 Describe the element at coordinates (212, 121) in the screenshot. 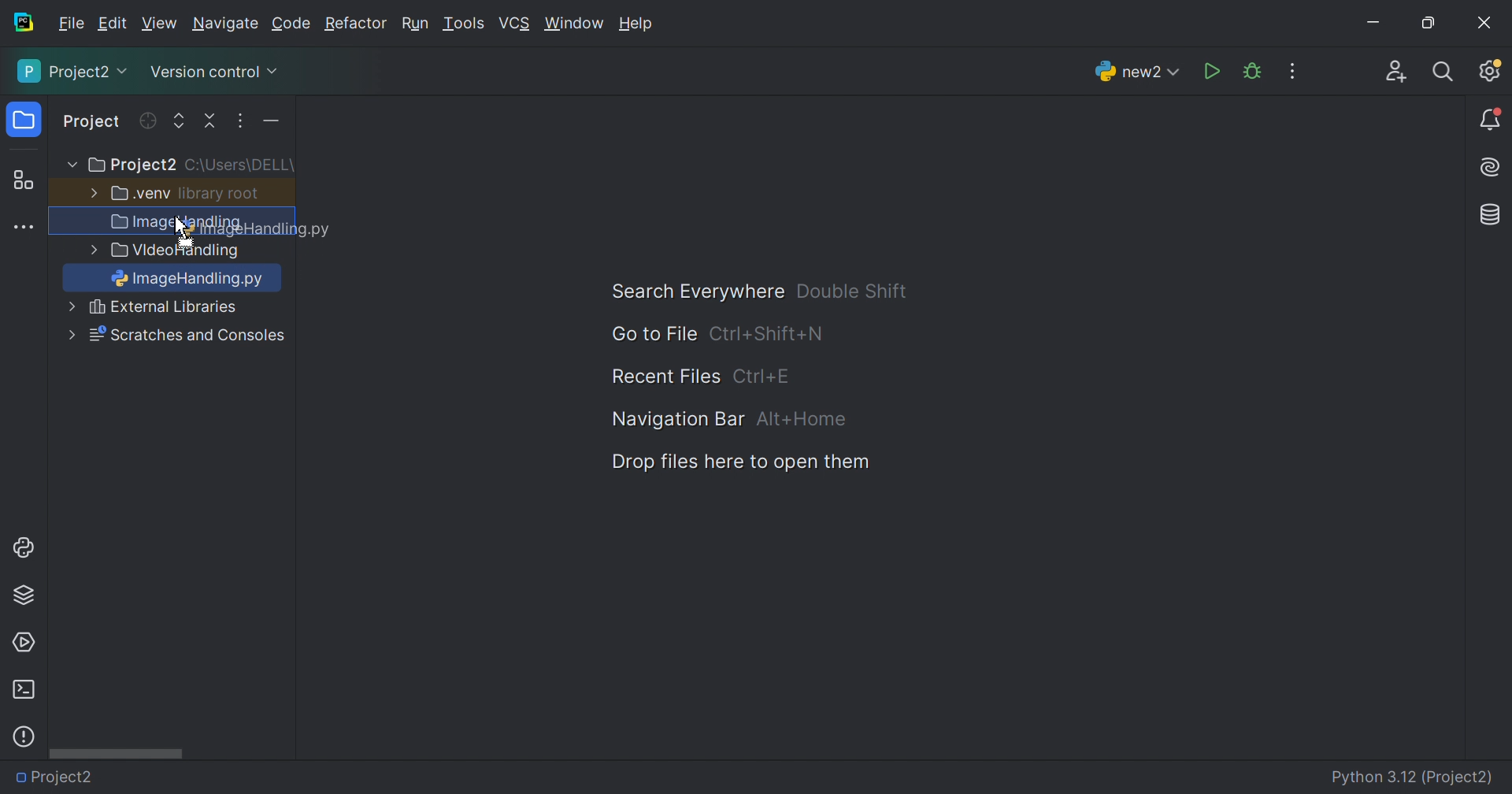

I see `Collapse all` at that location.